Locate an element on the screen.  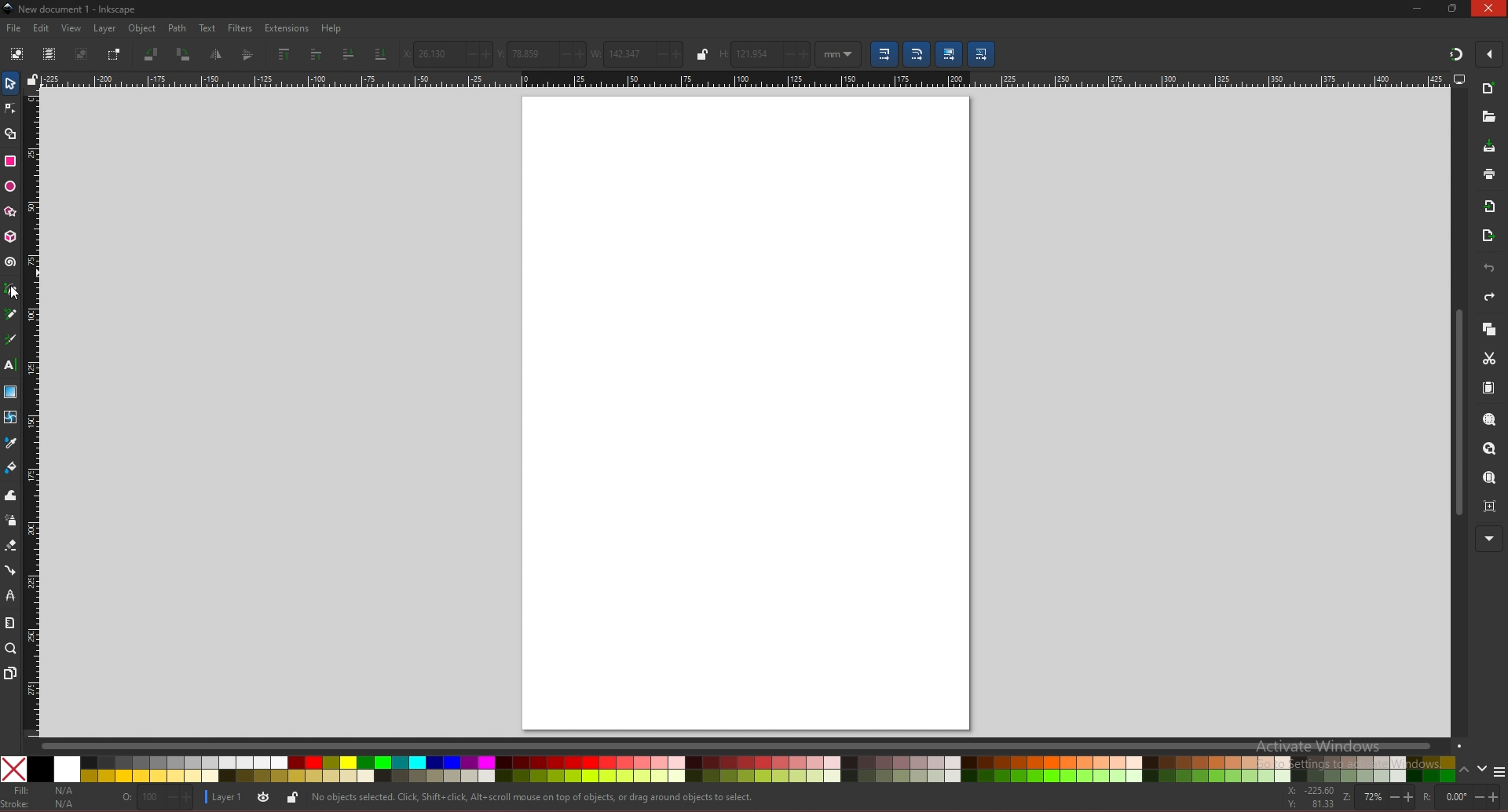
toggle selection box is located at coordinates (113, 54).